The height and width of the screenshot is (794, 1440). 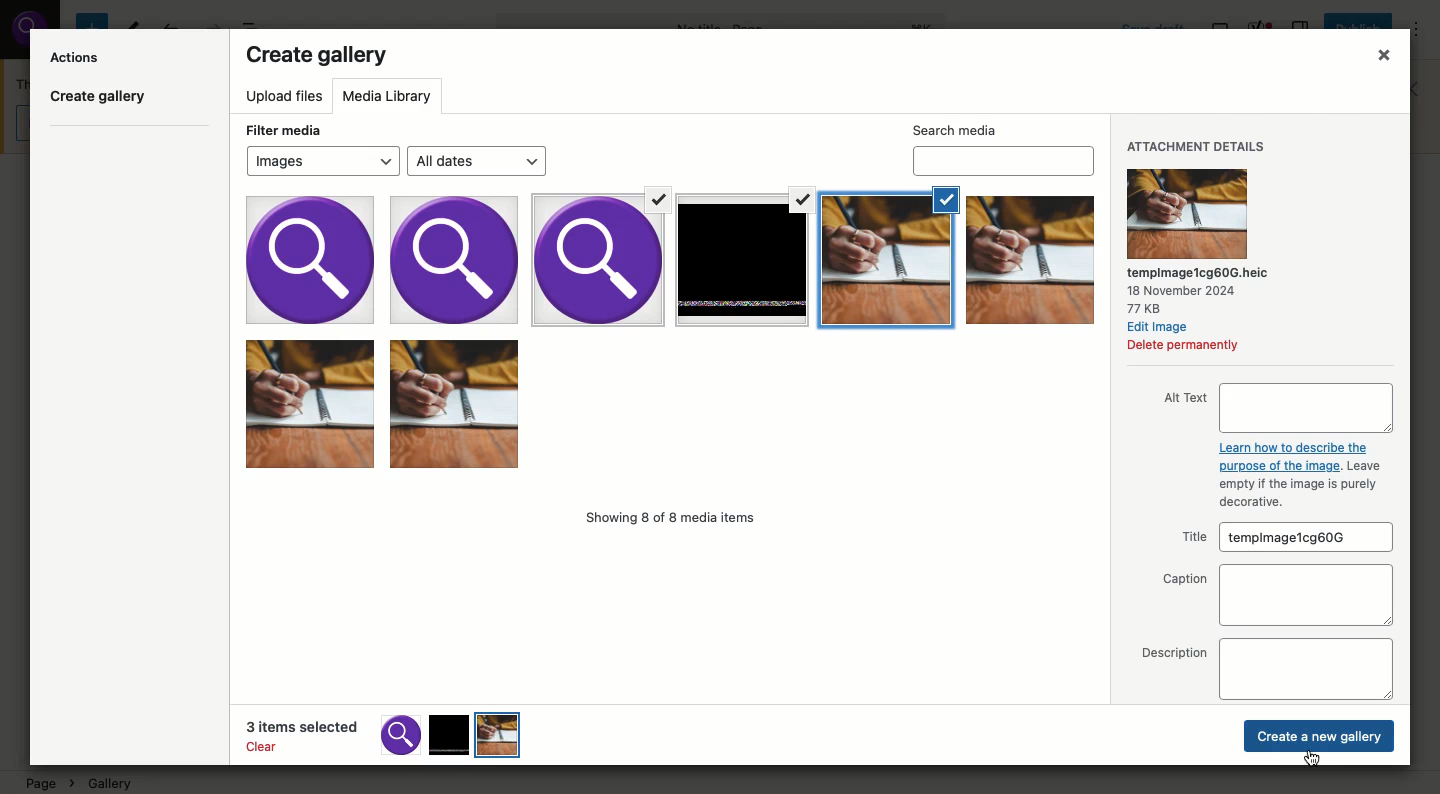 What do you see at coordinates (1292, 480) in the screenshot?
I see `Learn how to describe the purpose of the image. Leaveempty if the image is purely decorative.` at bounding box center [1292, 480].